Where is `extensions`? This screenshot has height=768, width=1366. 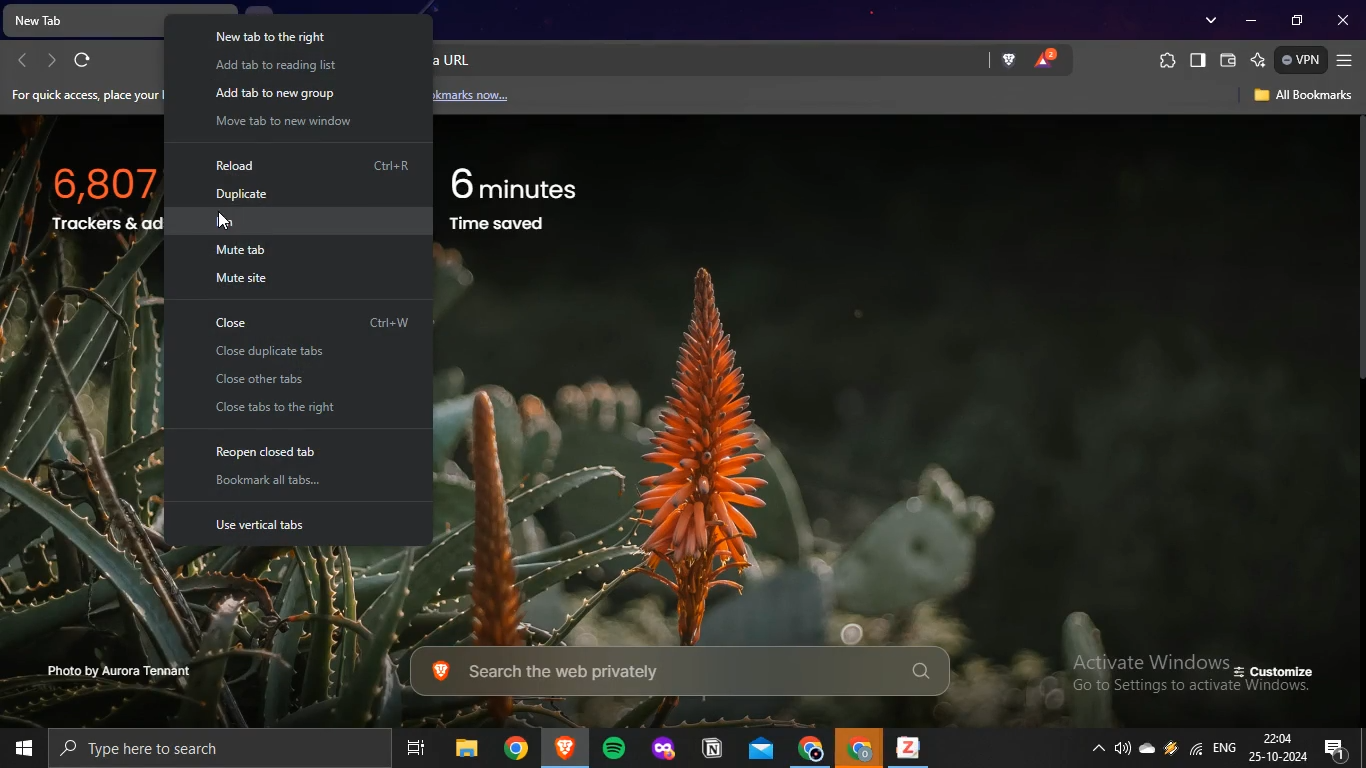
extensions is located at coordinates (1168, 61).